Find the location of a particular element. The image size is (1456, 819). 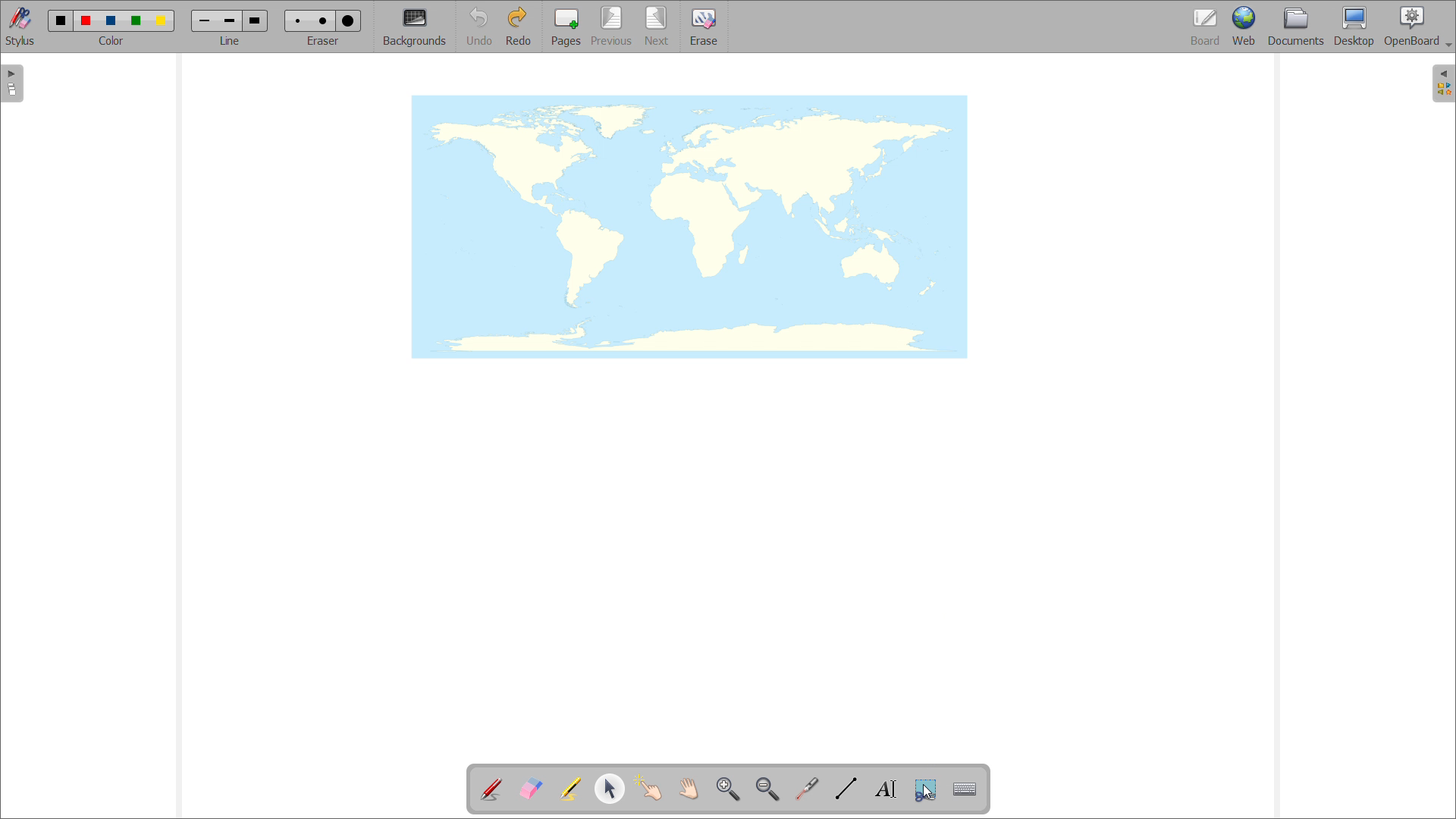

small is located at coordinates (296, 20).